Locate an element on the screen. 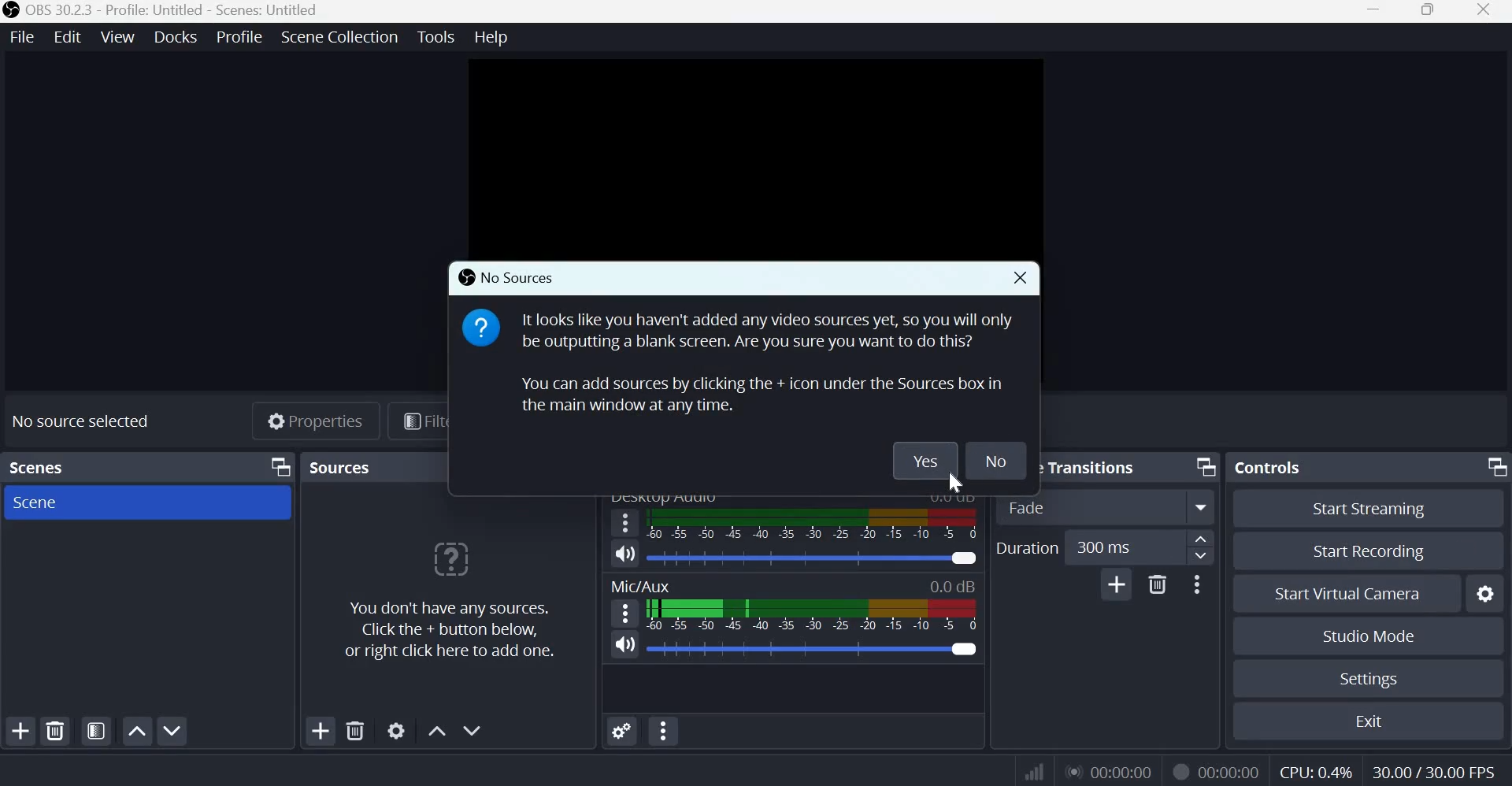  Mic/Aux is located at coordinates (645, 586).